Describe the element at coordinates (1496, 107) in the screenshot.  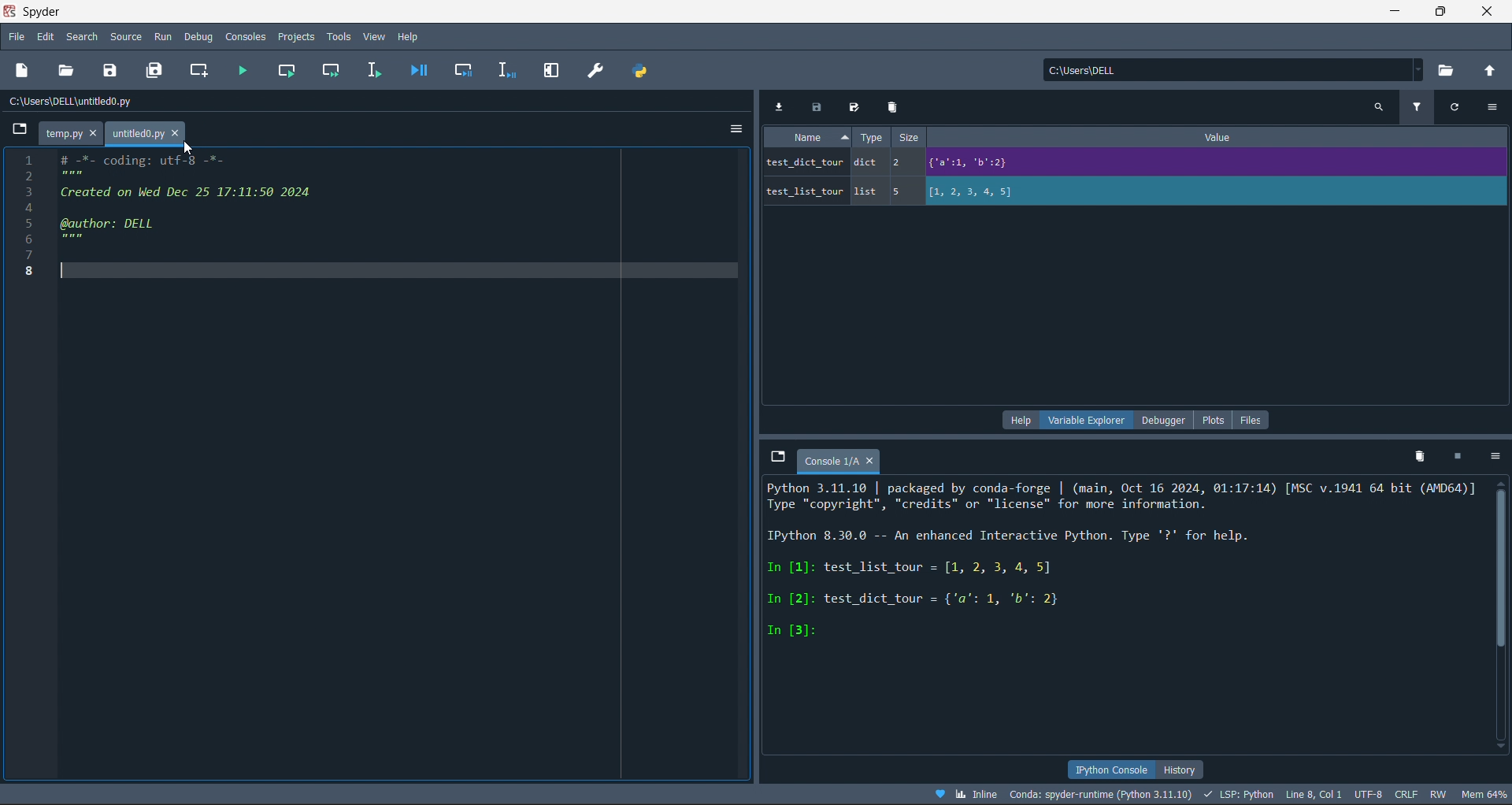
I see `options` at that location.